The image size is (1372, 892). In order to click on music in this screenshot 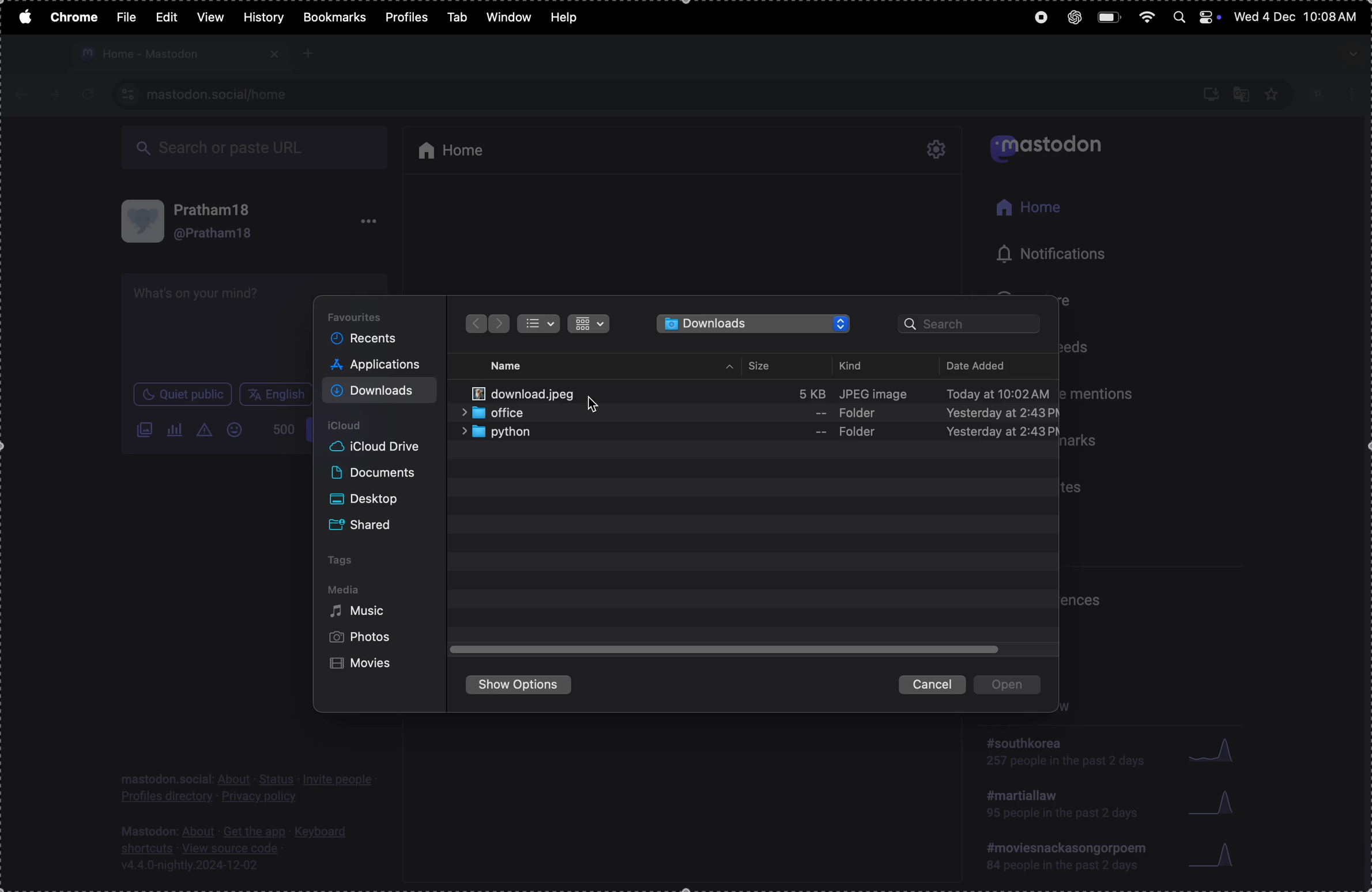, I will do `click(364, 614)`.